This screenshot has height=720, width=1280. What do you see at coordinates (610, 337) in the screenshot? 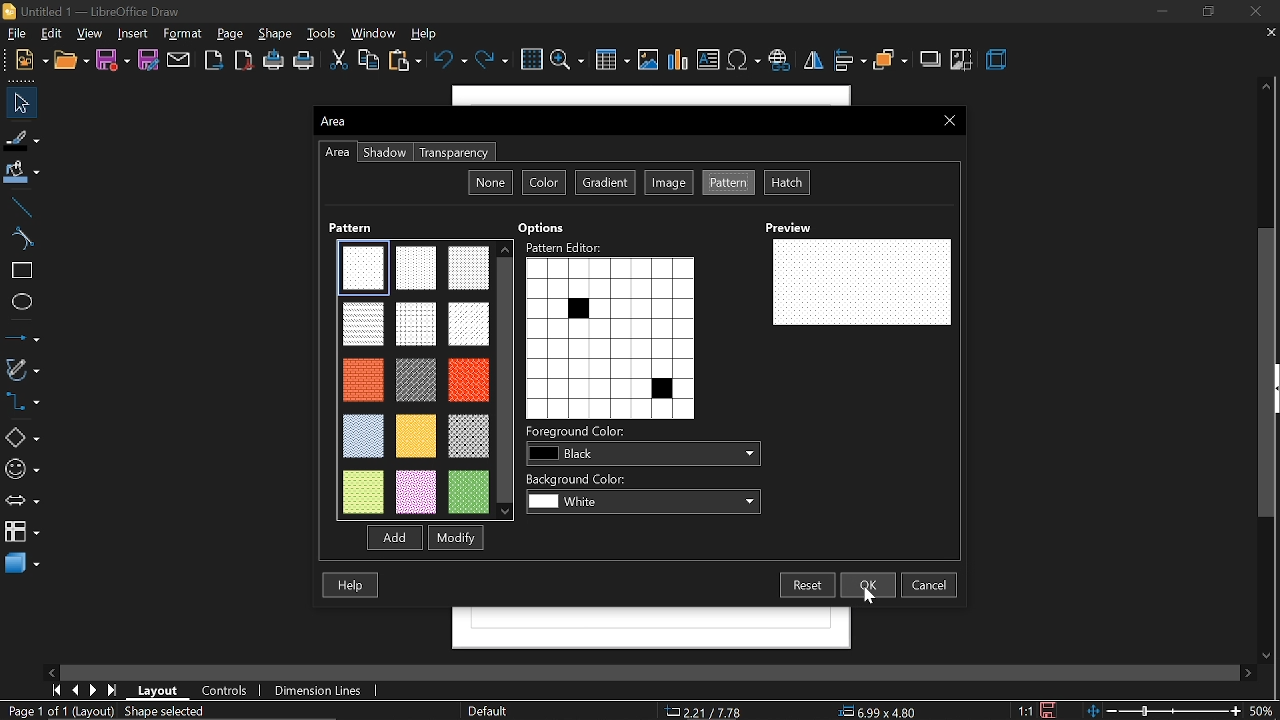
I see `pattern editor` at bounding box center [610, 337].